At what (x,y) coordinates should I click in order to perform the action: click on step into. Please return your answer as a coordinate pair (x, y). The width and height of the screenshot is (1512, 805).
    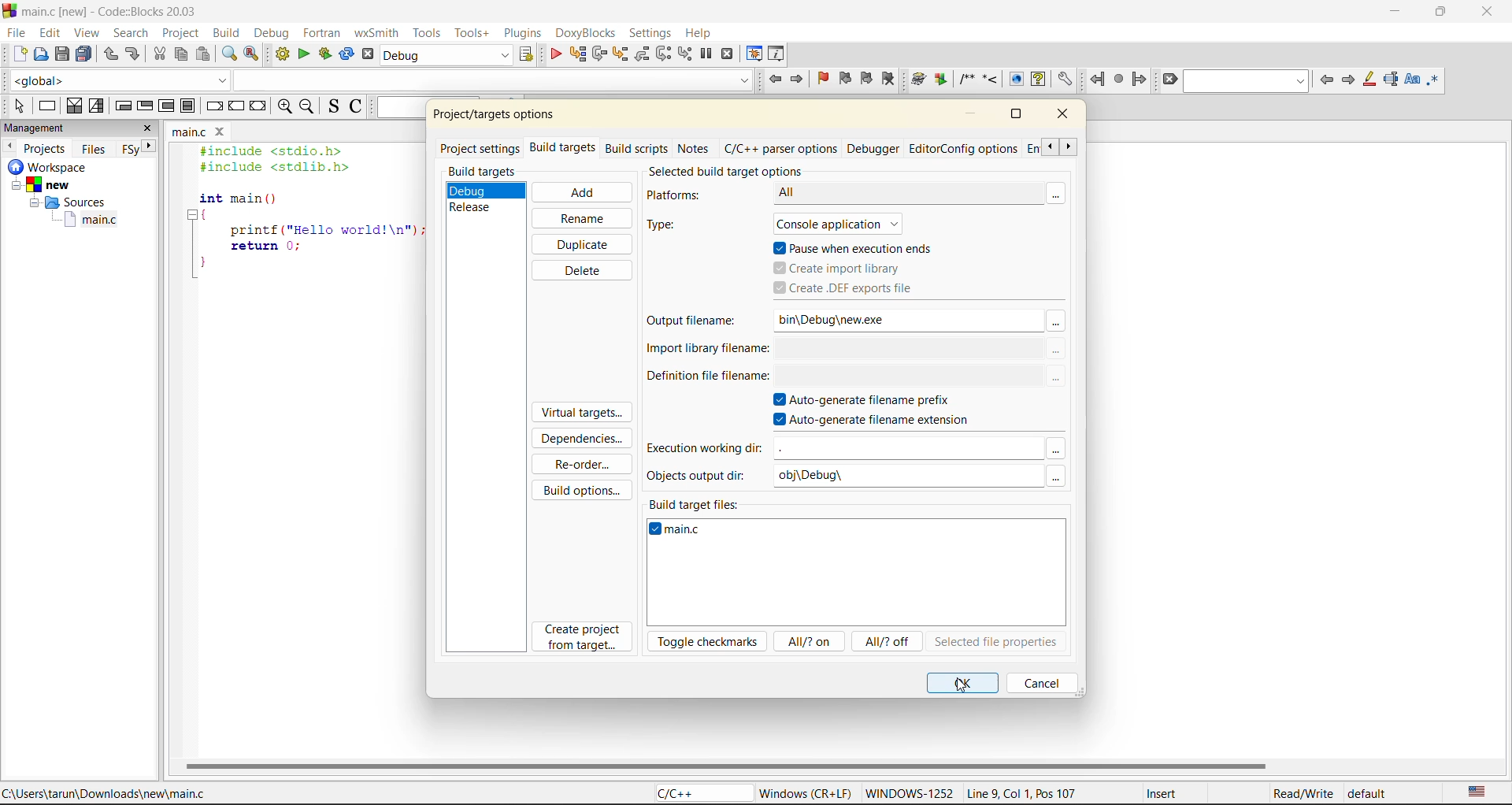
    Looking at the image, I should click on (620, 56).